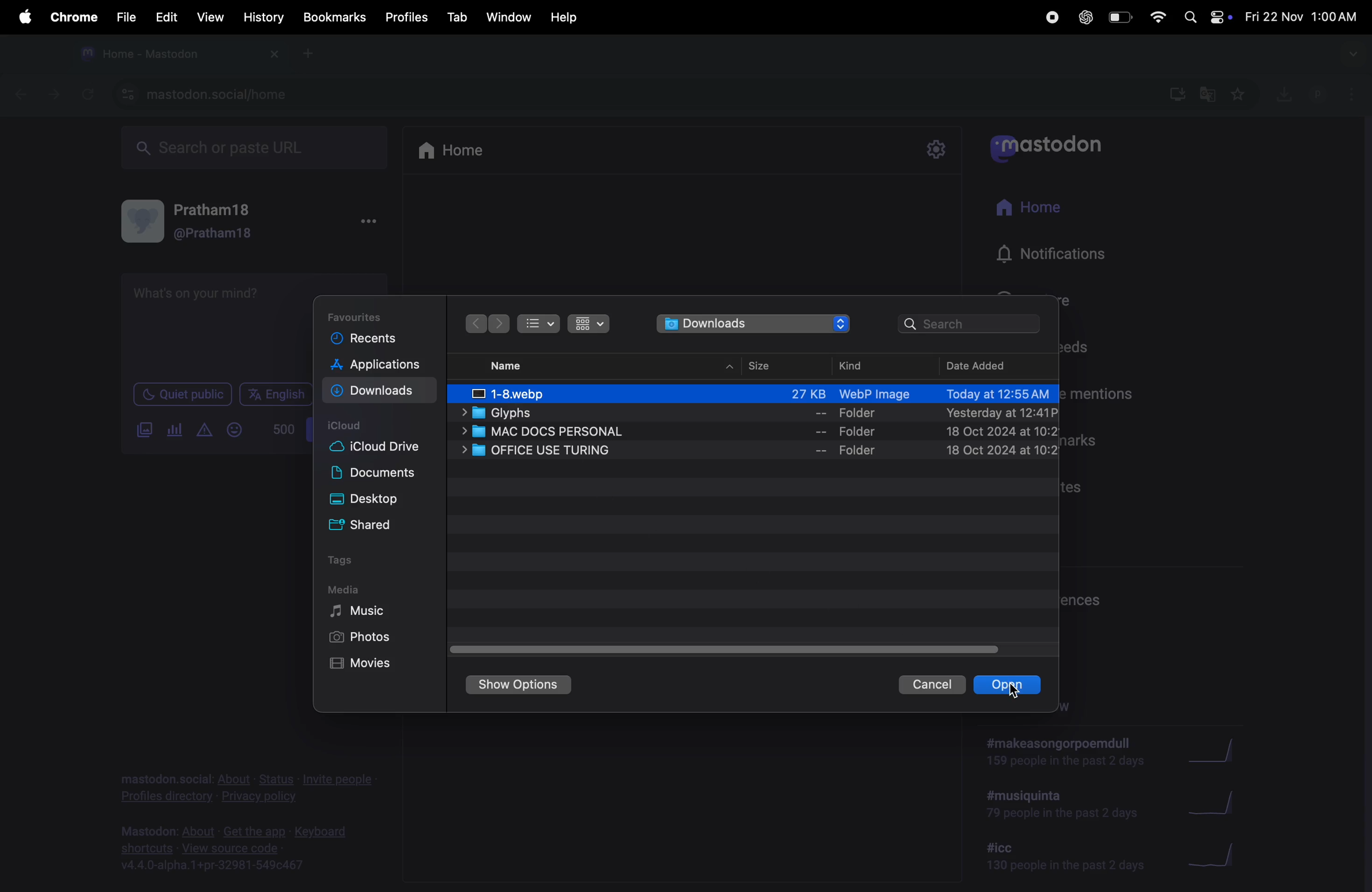 Image resolution: width=1372 pixels, height=892 pixels. Describe the element at coordinates (210, 17) in the screenshot. I see `view` at that location.